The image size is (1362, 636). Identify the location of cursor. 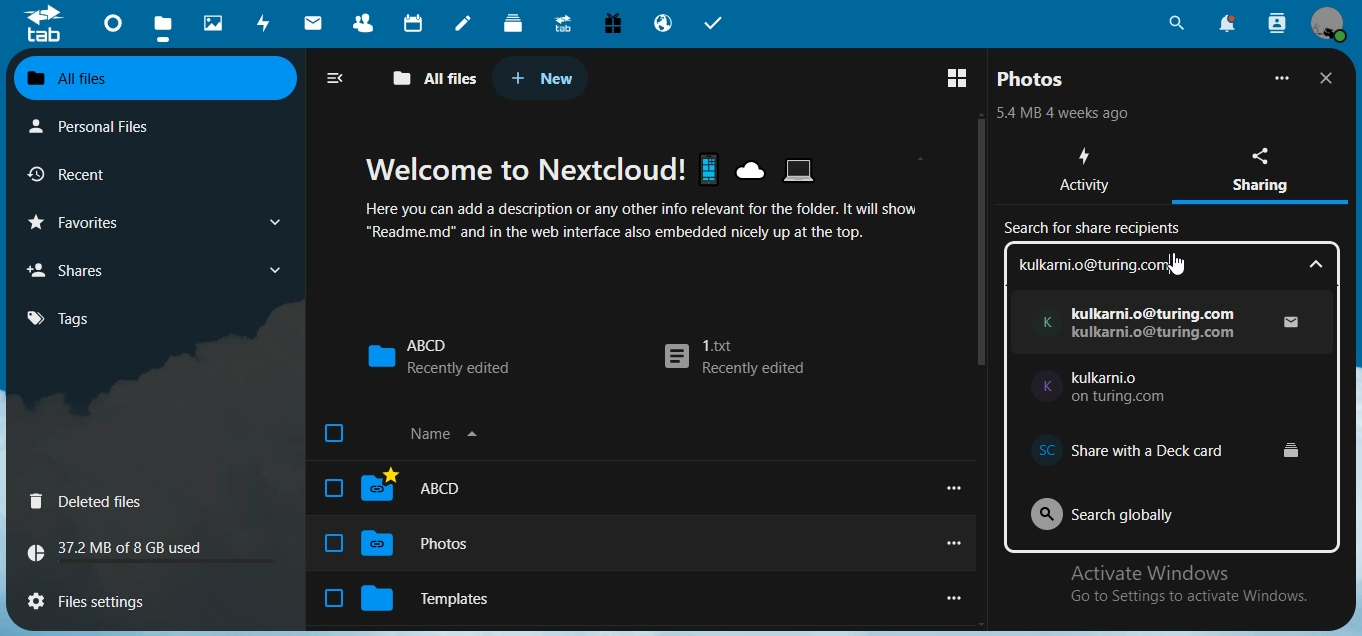
(1175, 266).